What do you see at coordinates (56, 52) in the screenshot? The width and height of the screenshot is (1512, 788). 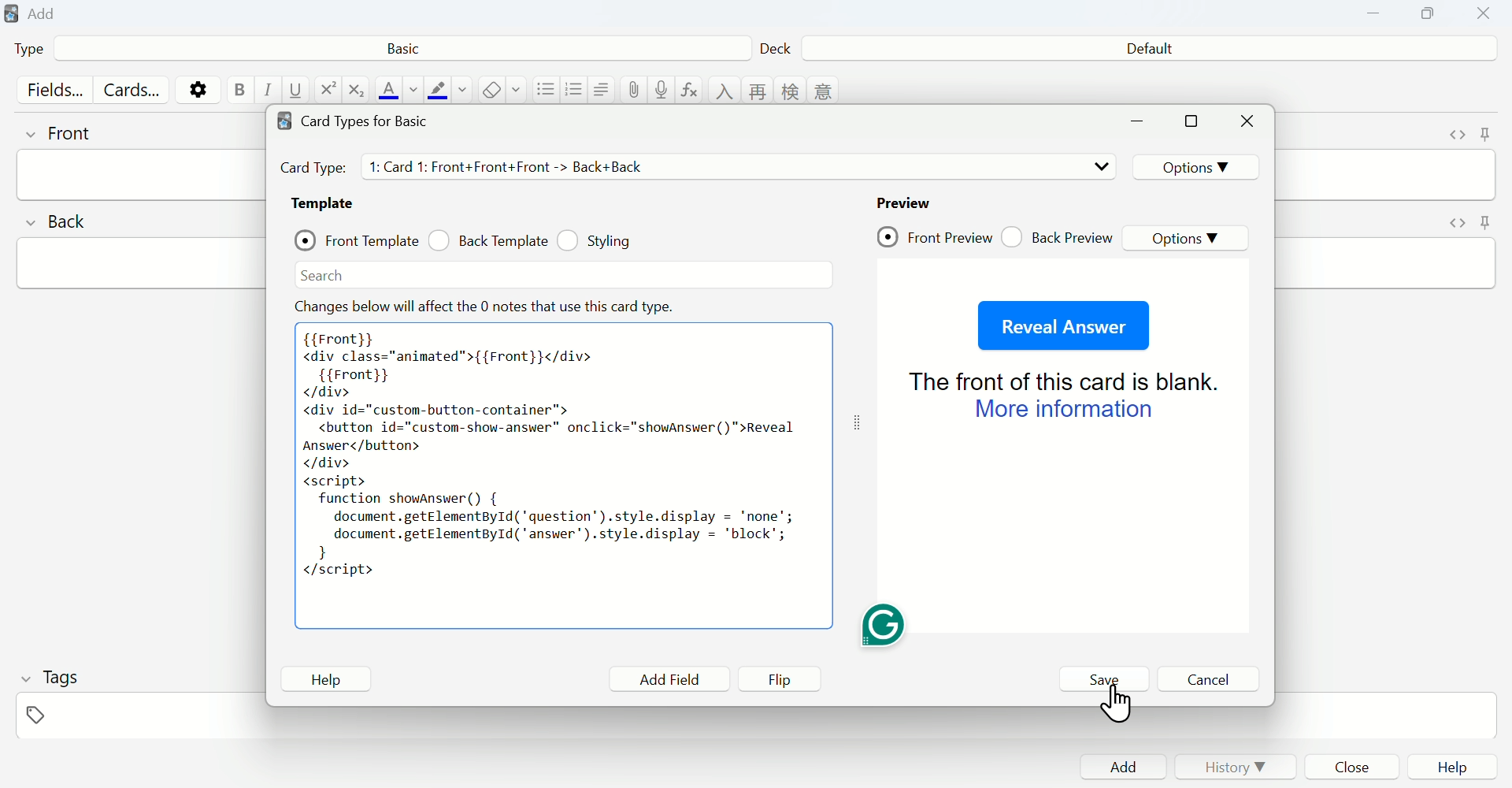 I see `Type` at bounding box center [56, 52].